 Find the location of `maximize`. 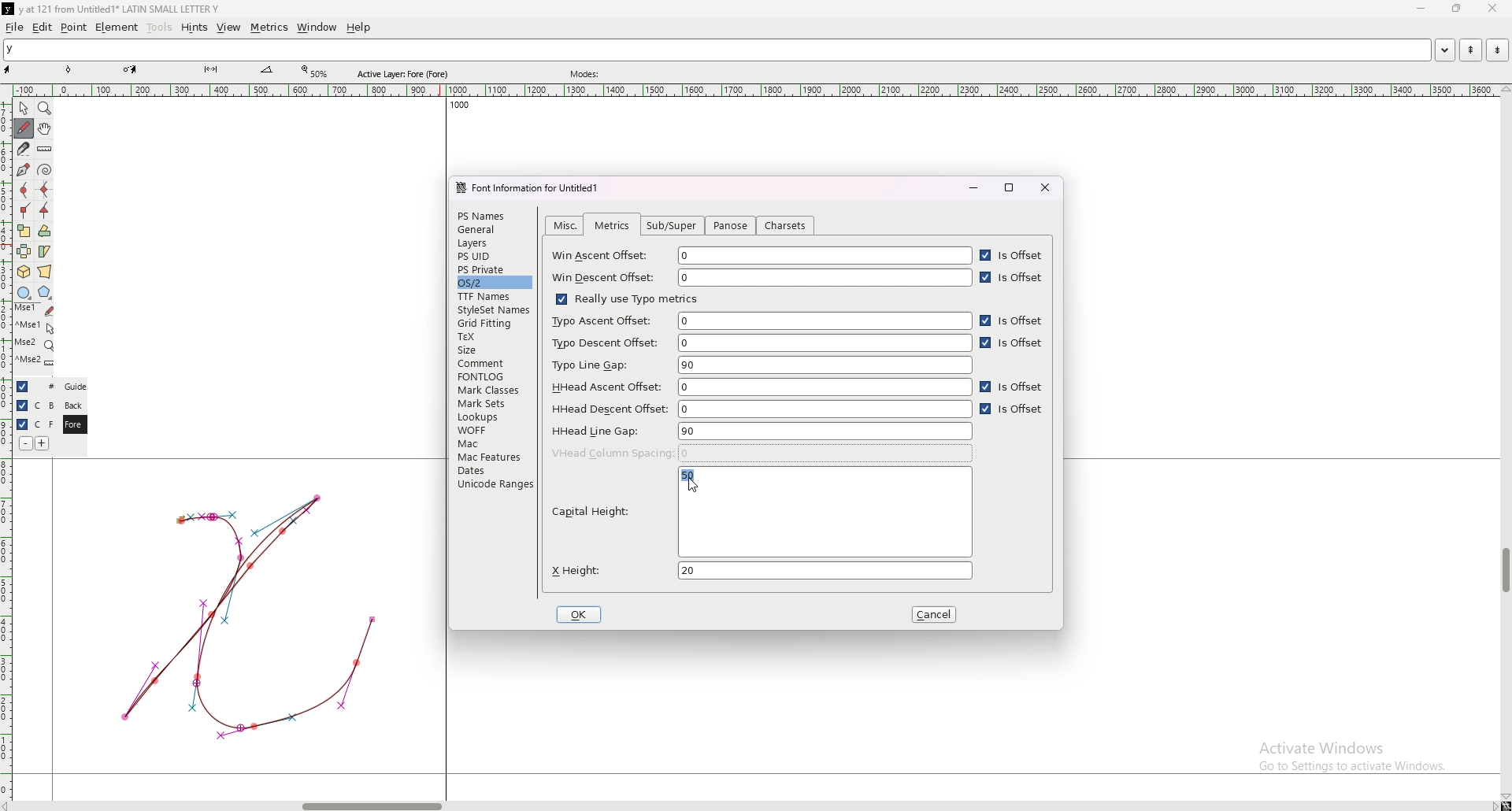

maximize is located at coordinates (1010, 187).